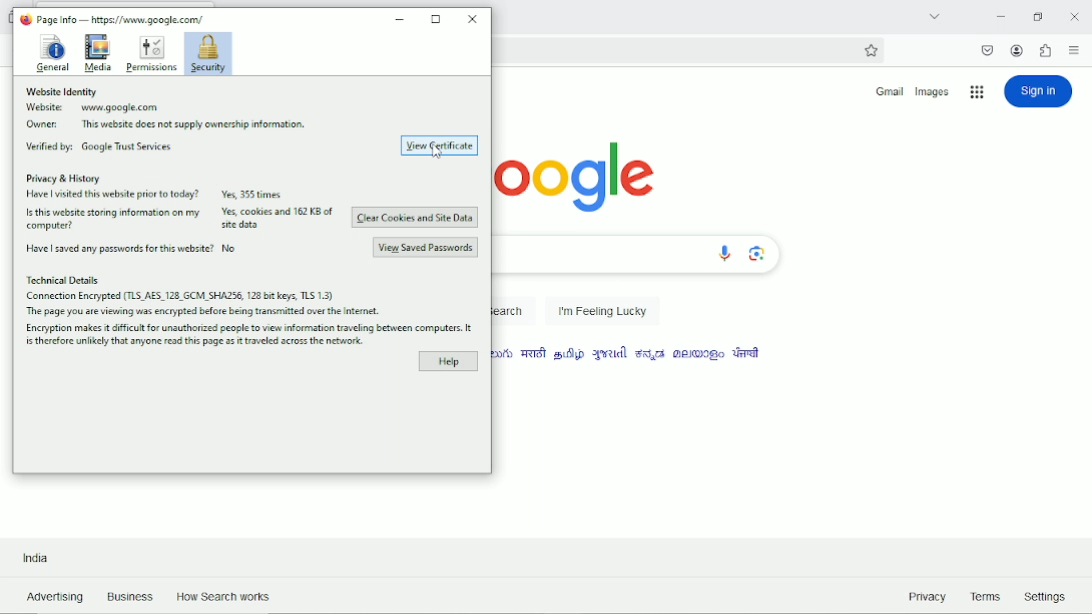 The width and height of the screenshot is (1092, 614). Describe the element at coordinates (69, 90) in the screenshot. I see `Website identity` at that location.